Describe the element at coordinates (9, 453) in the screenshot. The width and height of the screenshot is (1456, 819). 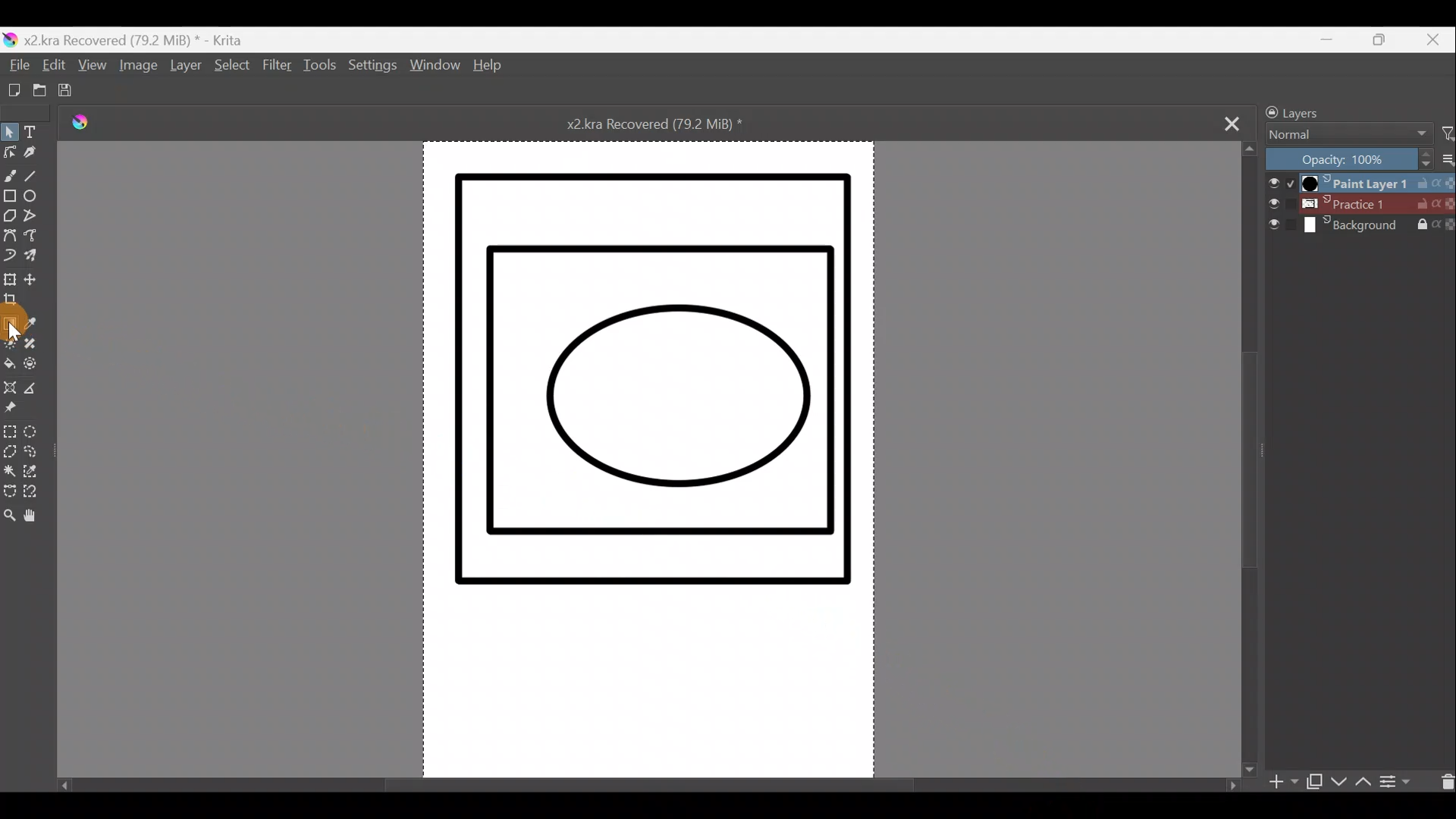
I see `Polgonal selection tool` at that location.